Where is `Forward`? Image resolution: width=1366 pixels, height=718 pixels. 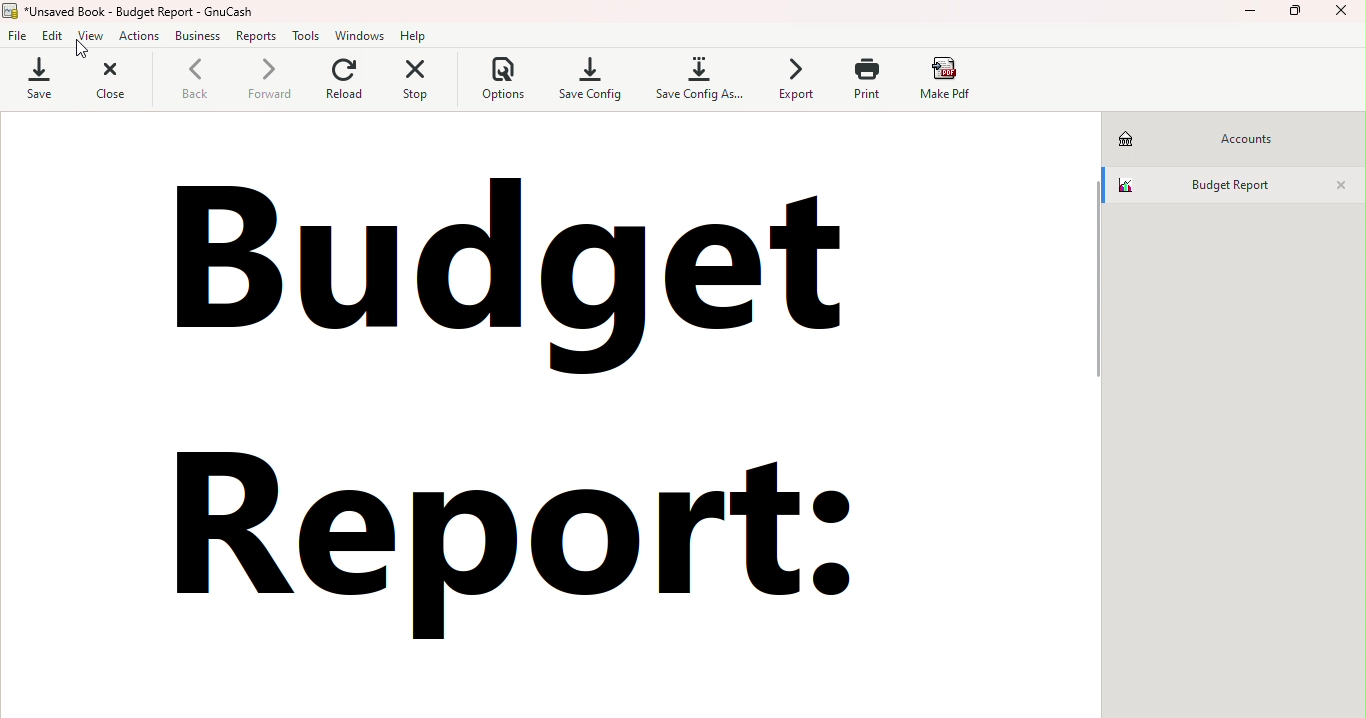
Forward is located at coordinates (266, 82).